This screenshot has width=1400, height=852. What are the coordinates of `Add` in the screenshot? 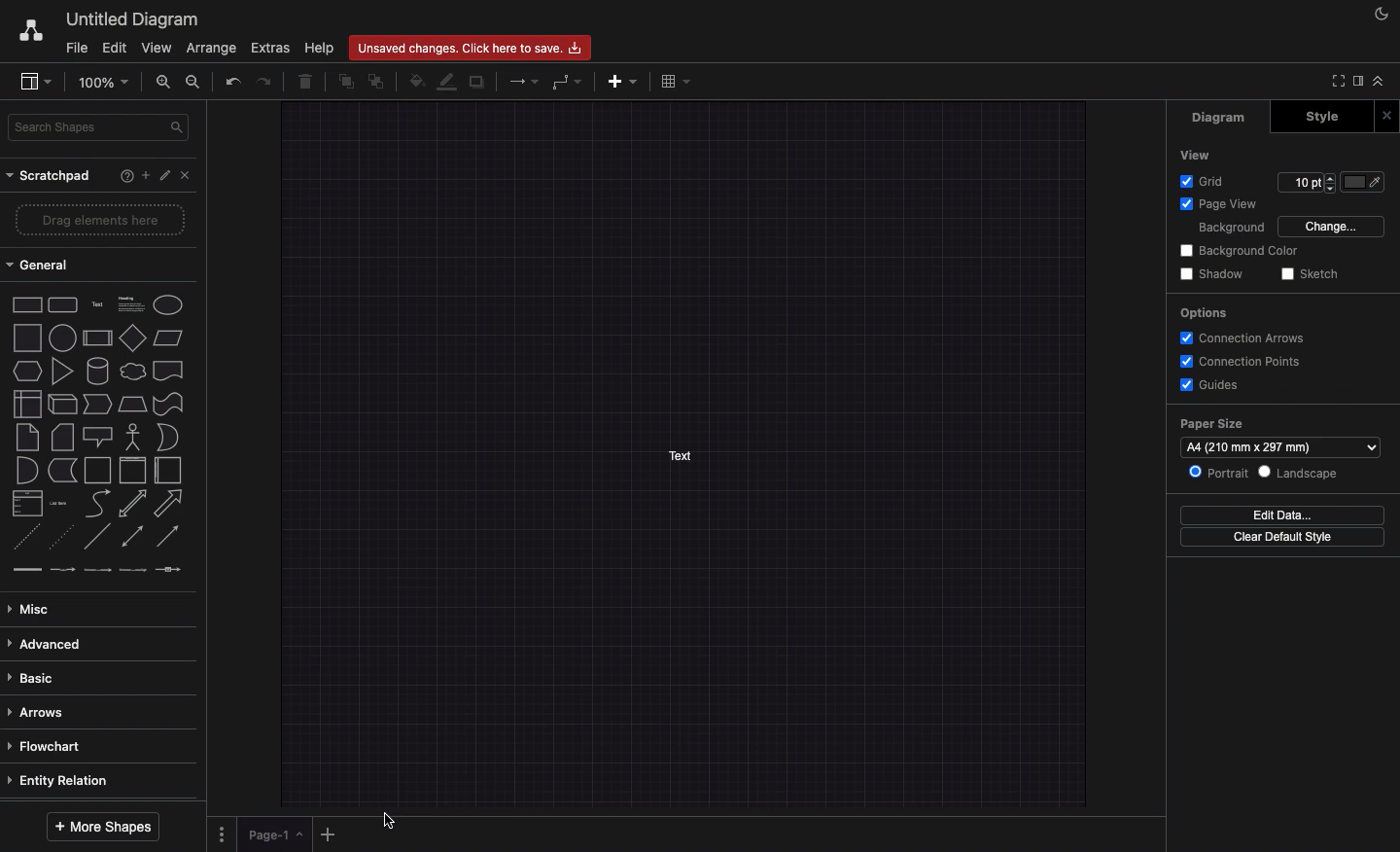 It's located at (328, 834).